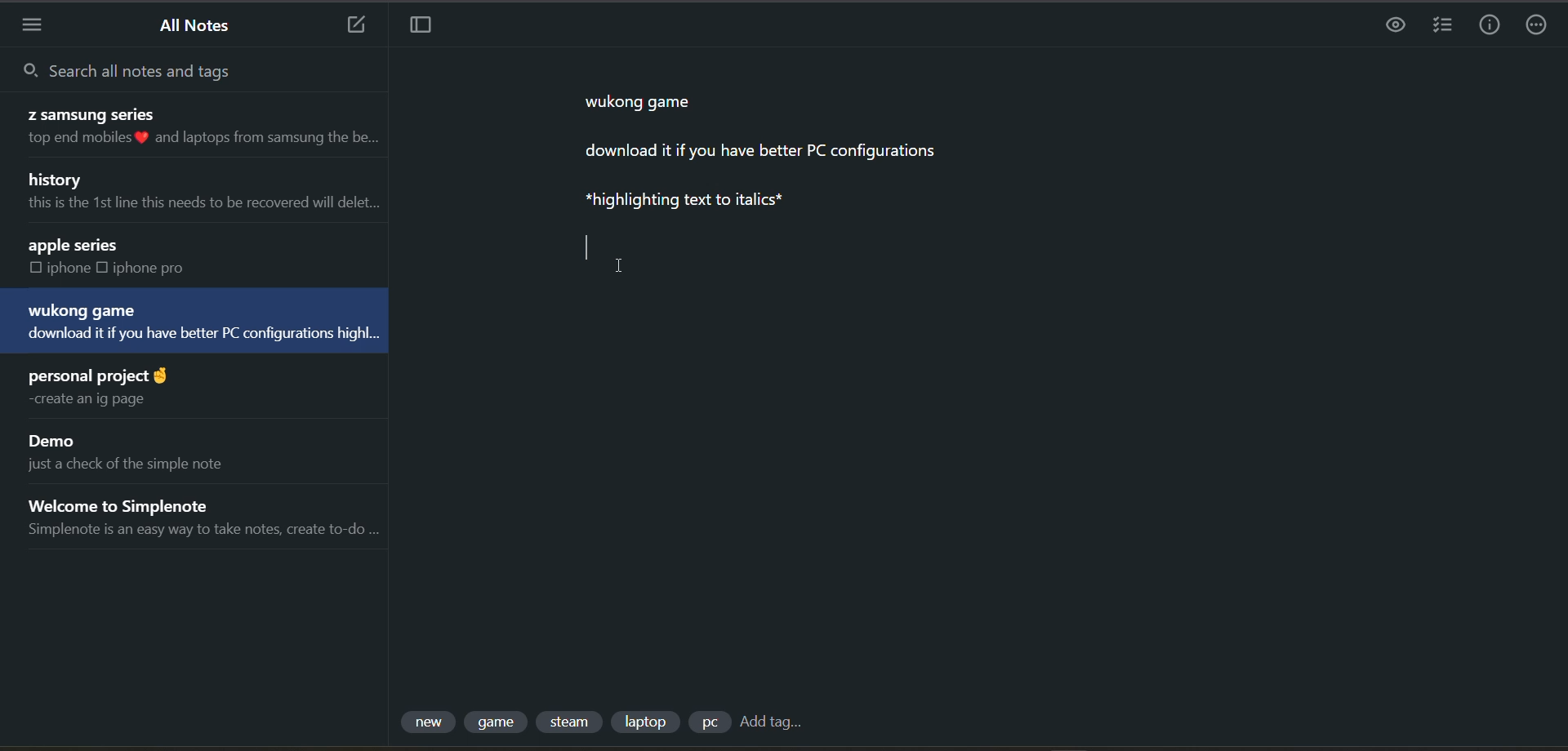 The image size is (1568, 751). Describe the element at coordinates (1443, 28) in the screenshot. I see `insert checklist` at that location.